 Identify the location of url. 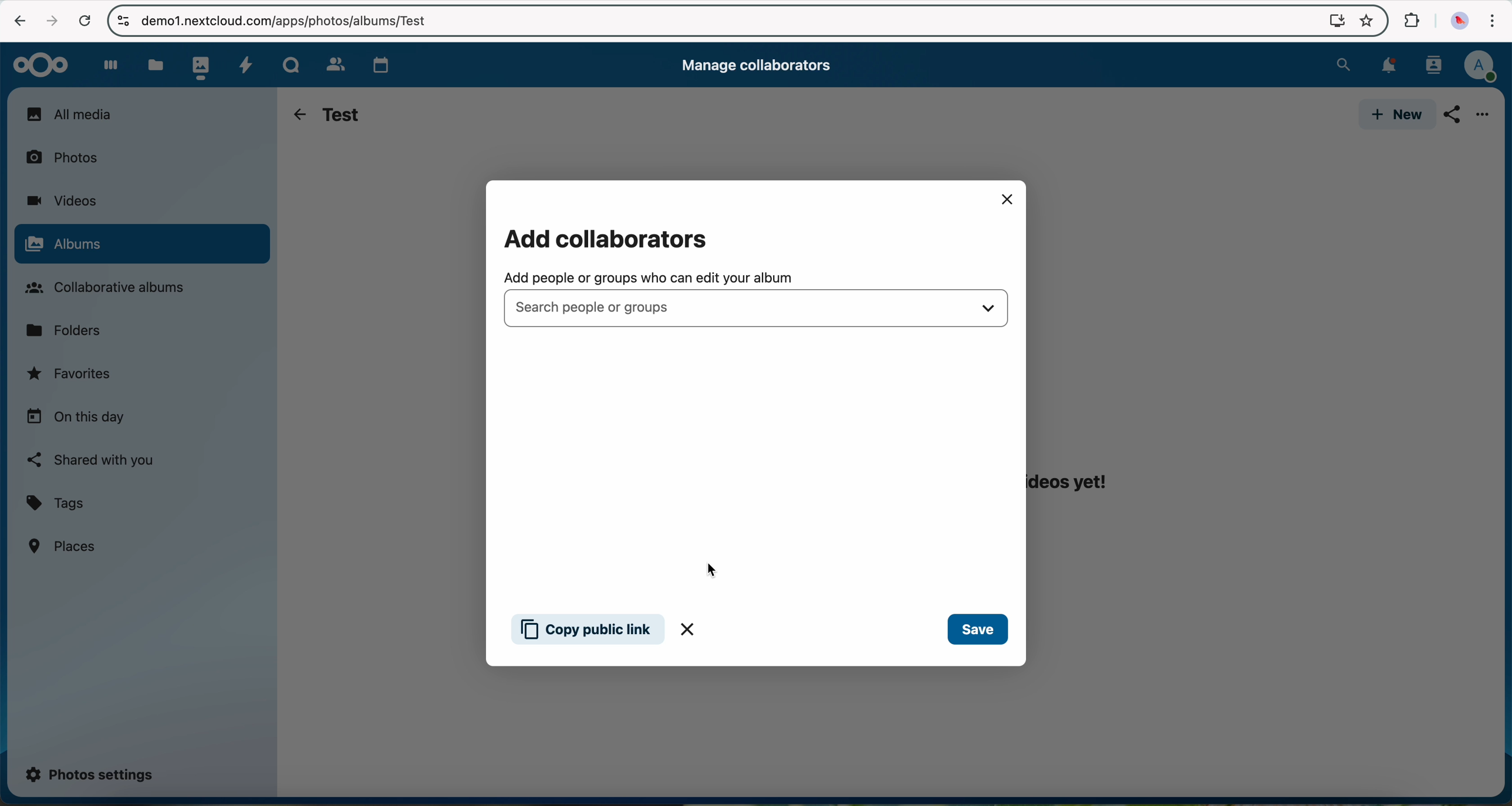
(279, 21).